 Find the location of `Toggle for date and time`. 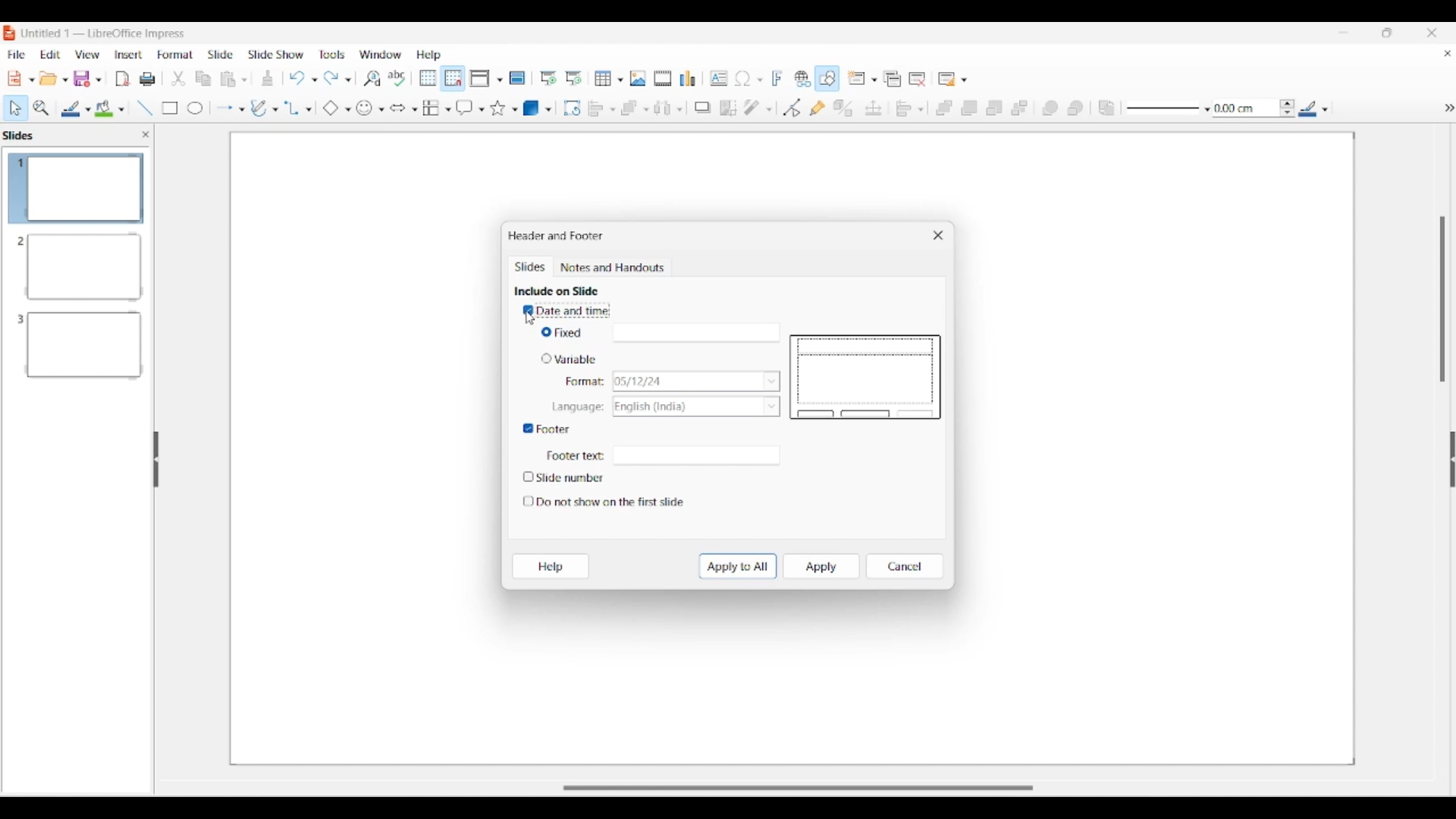

Toggle for date and time is located at coordinates (567, 311).